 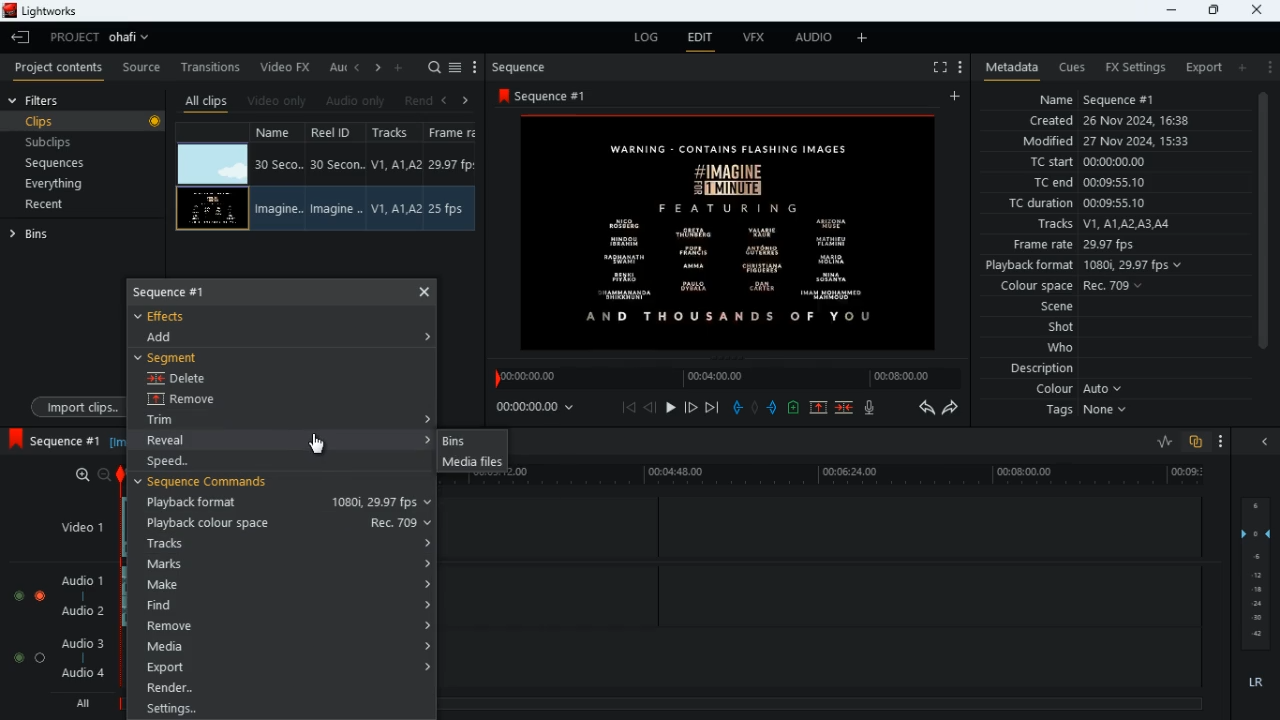 I want to click on sequence, so click(x=528, y=67).